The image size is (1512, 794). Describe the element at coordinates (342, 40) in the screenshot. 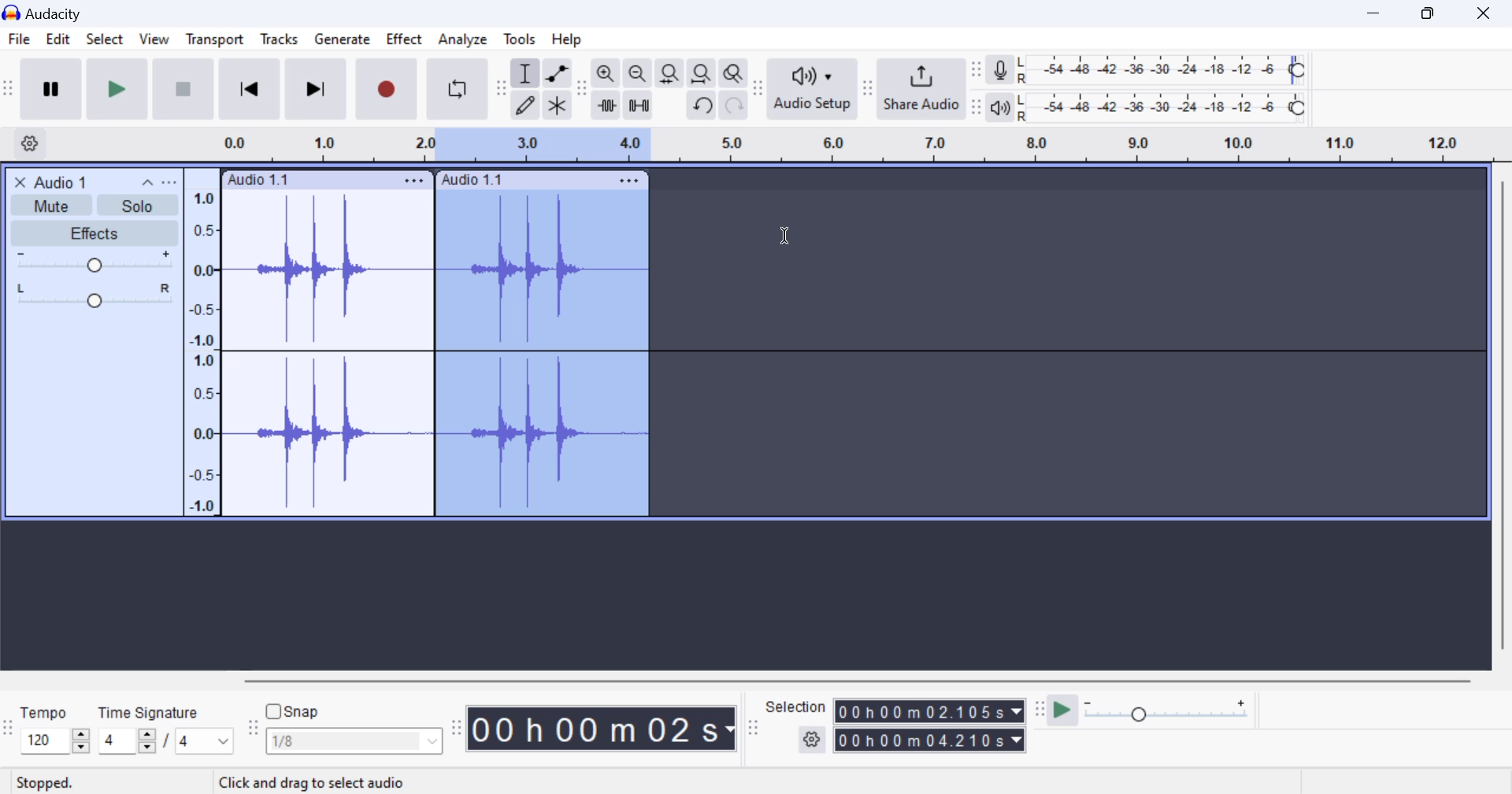

I see `Generate` at that location.